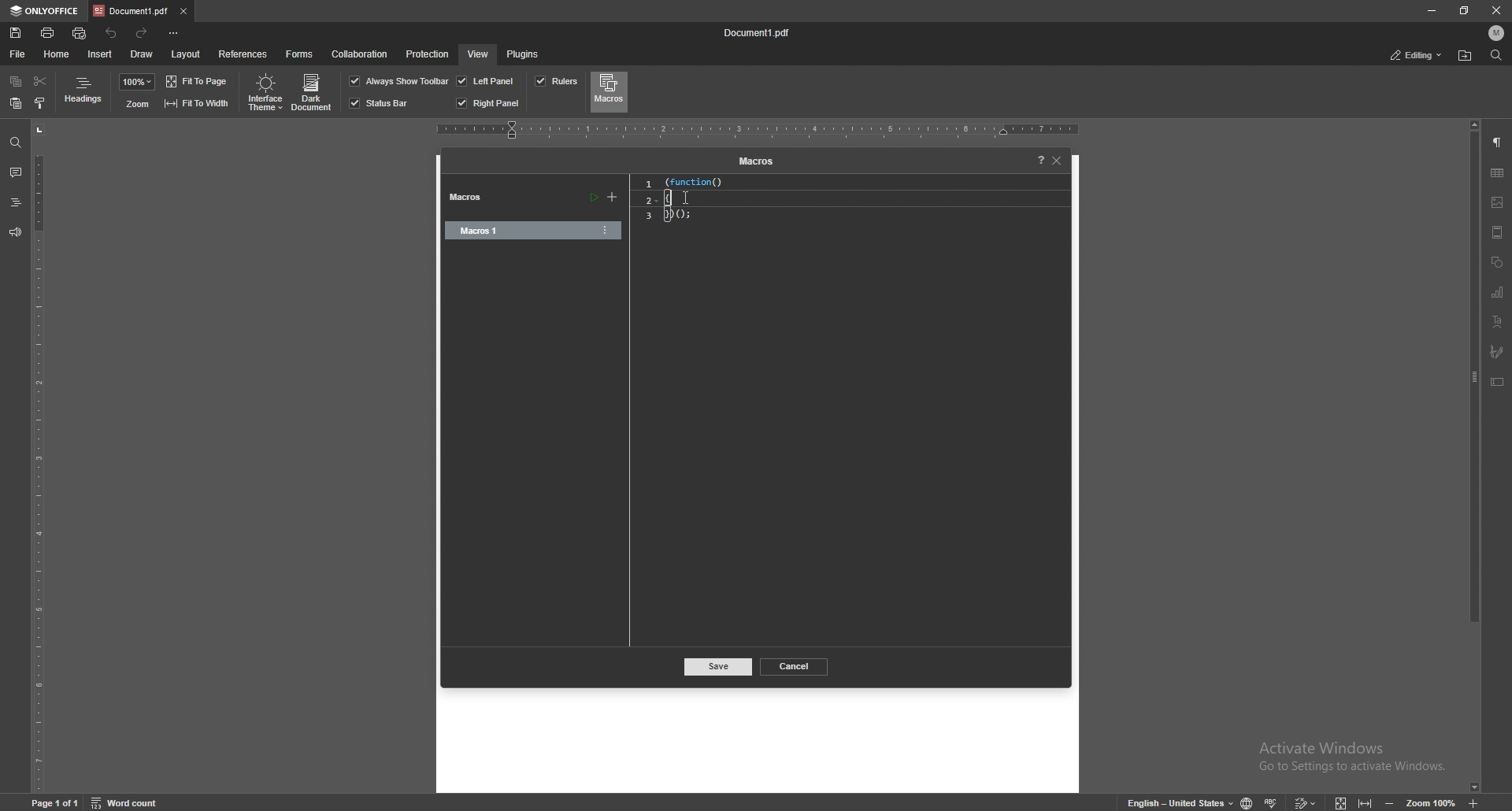 This screenshot has width=1512, height=811. What do you see at coordinates (16, 104) in the screenshot?
I see `paste` at bounding box center [16, 104].